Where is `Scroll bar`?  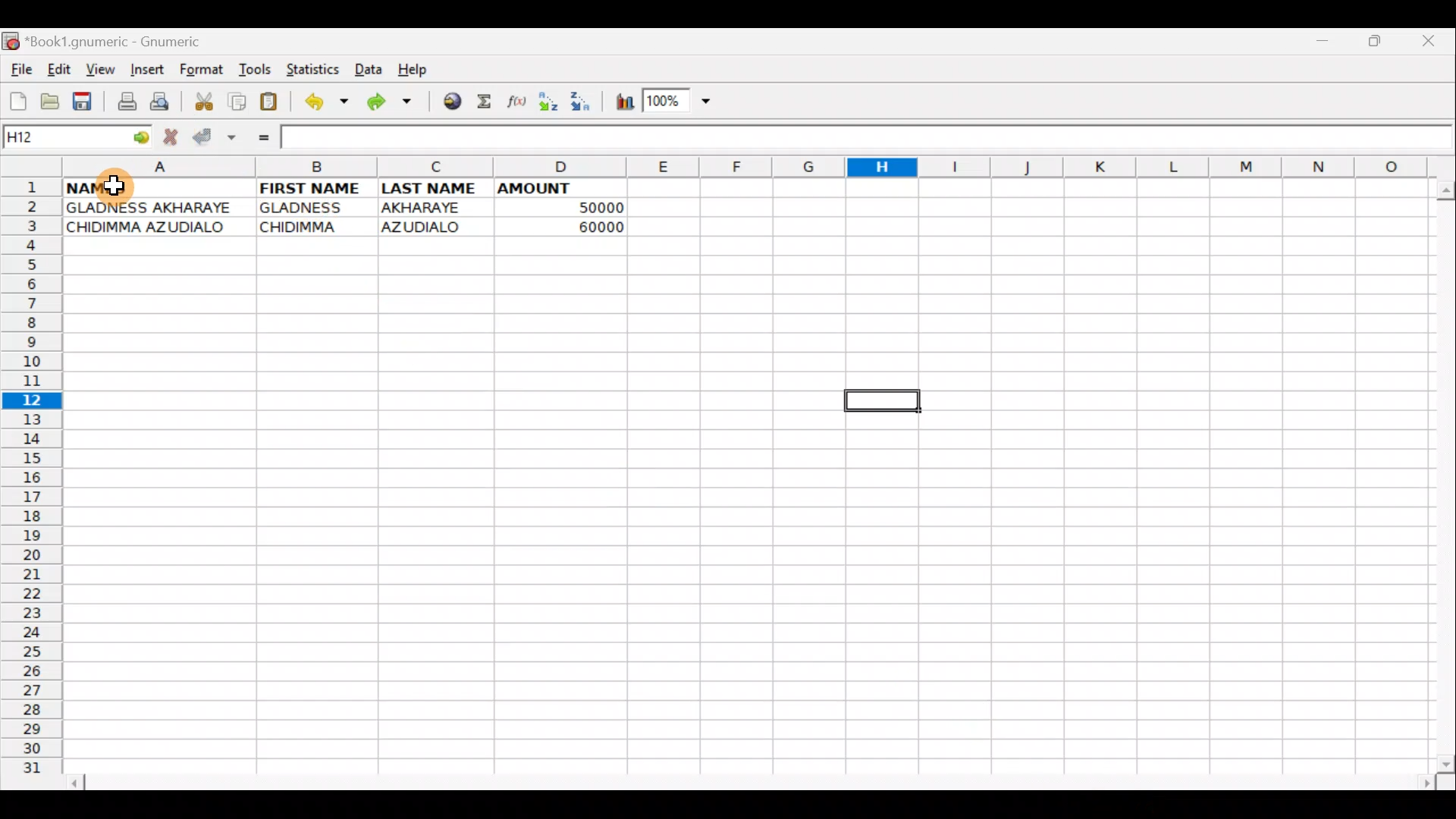
Scroll bar is located at coordinates (749, 780).